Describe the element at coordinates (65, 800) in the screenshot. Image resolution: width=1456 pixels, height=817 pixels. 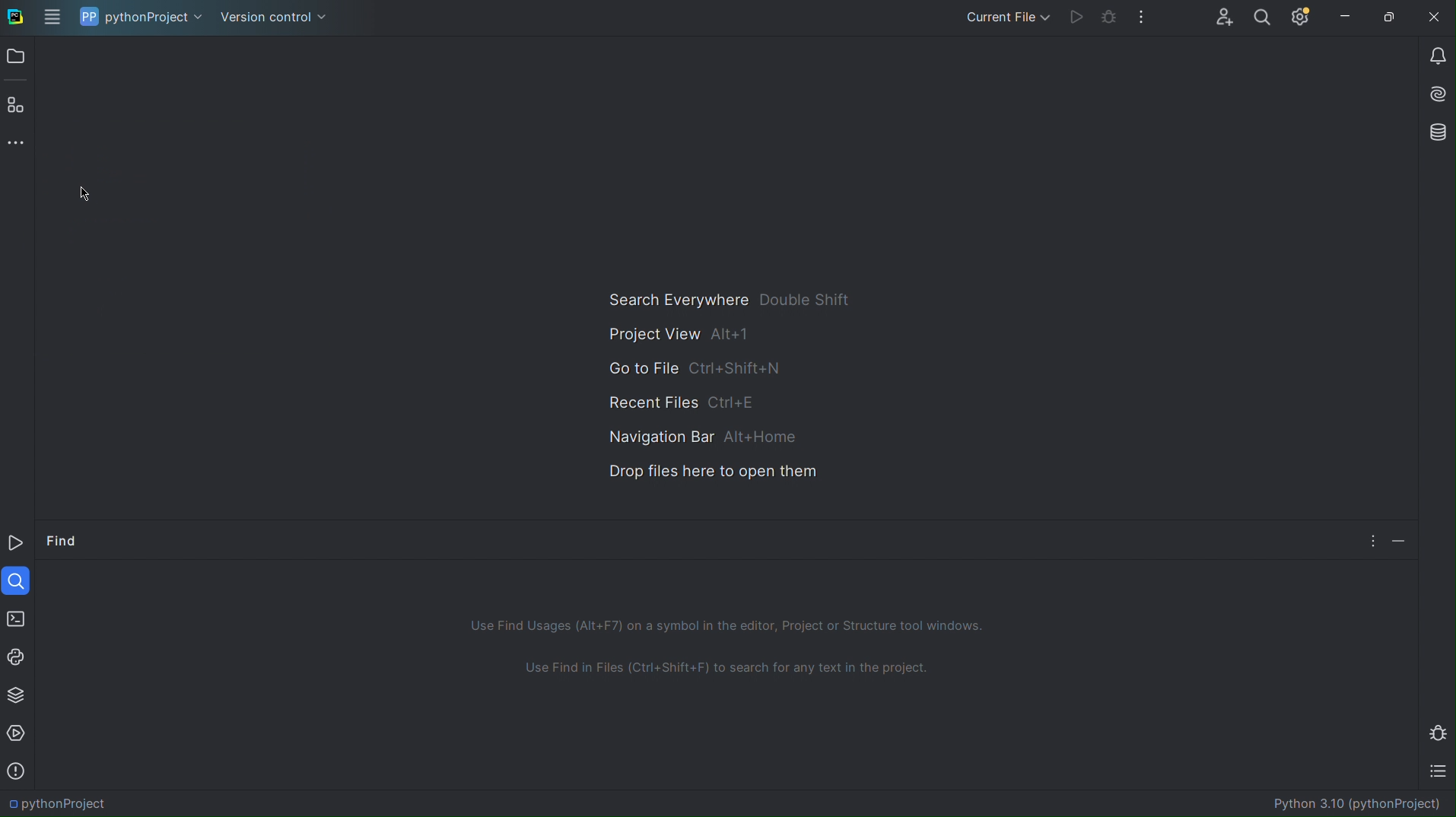
I see `PythonProject` at that location.